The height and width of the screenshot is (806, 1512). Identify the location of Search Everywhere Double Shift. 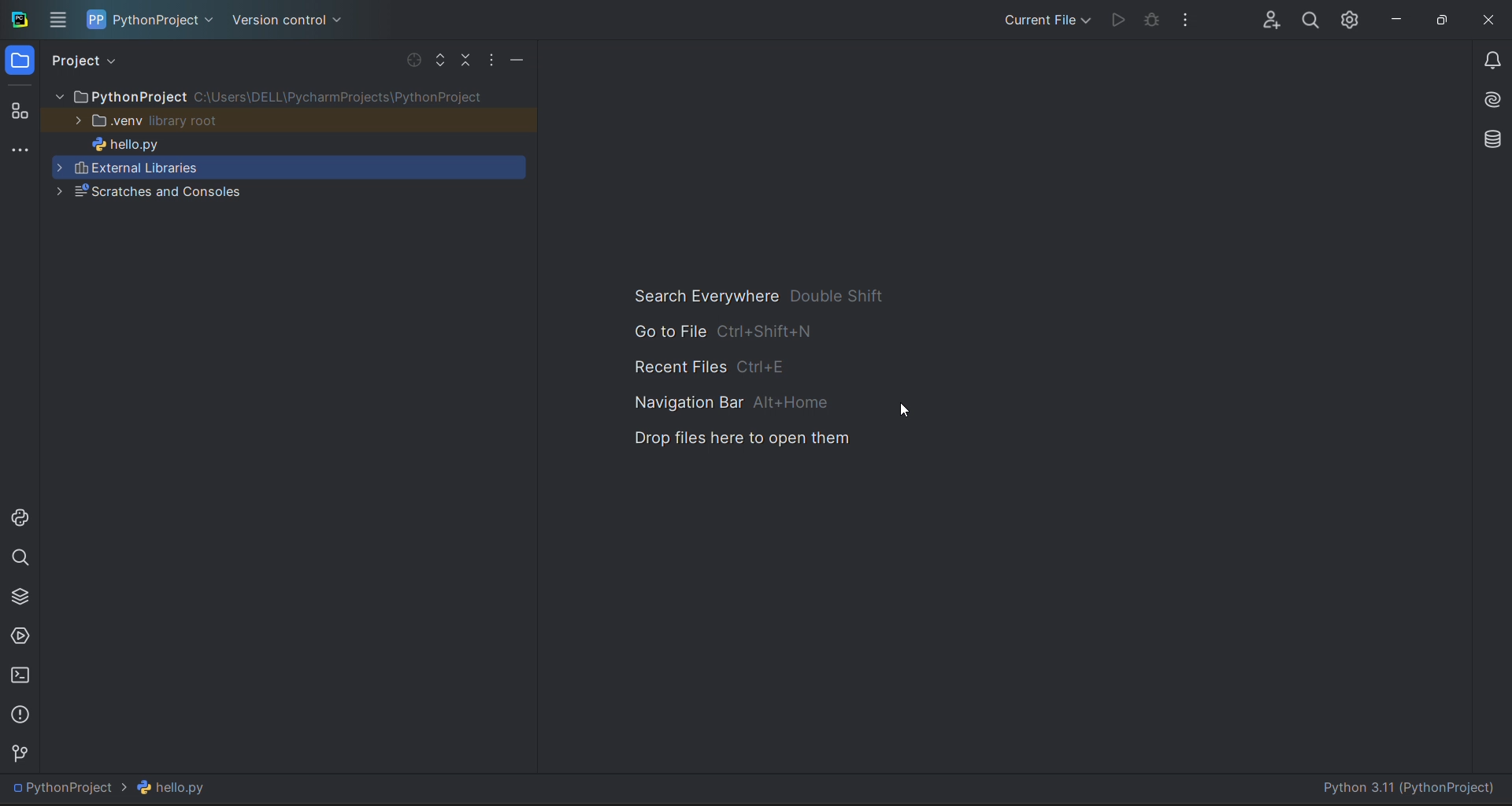
(746, 297).